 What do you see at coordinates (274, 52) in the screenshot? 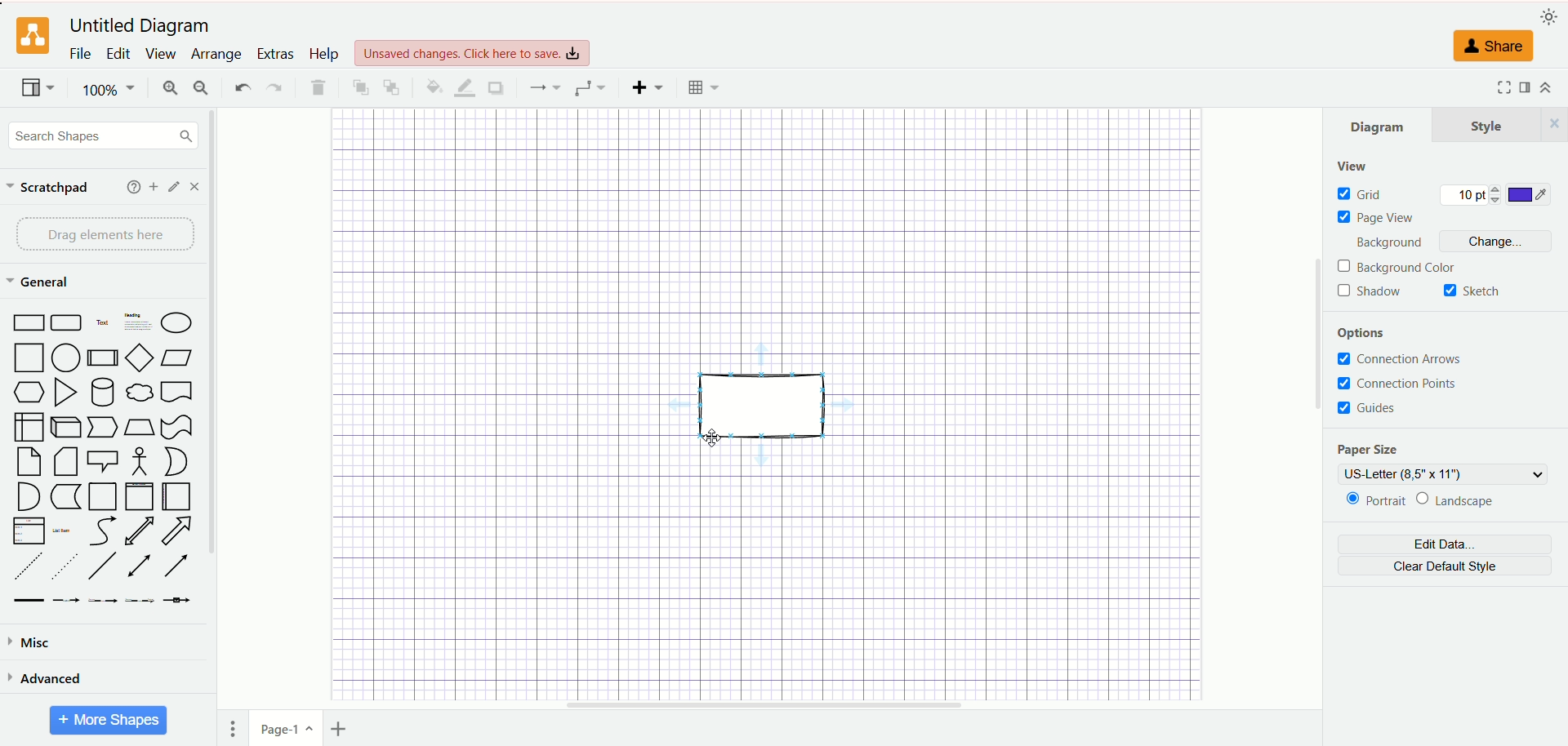
I see `extras` at bounding box center [274, 52].